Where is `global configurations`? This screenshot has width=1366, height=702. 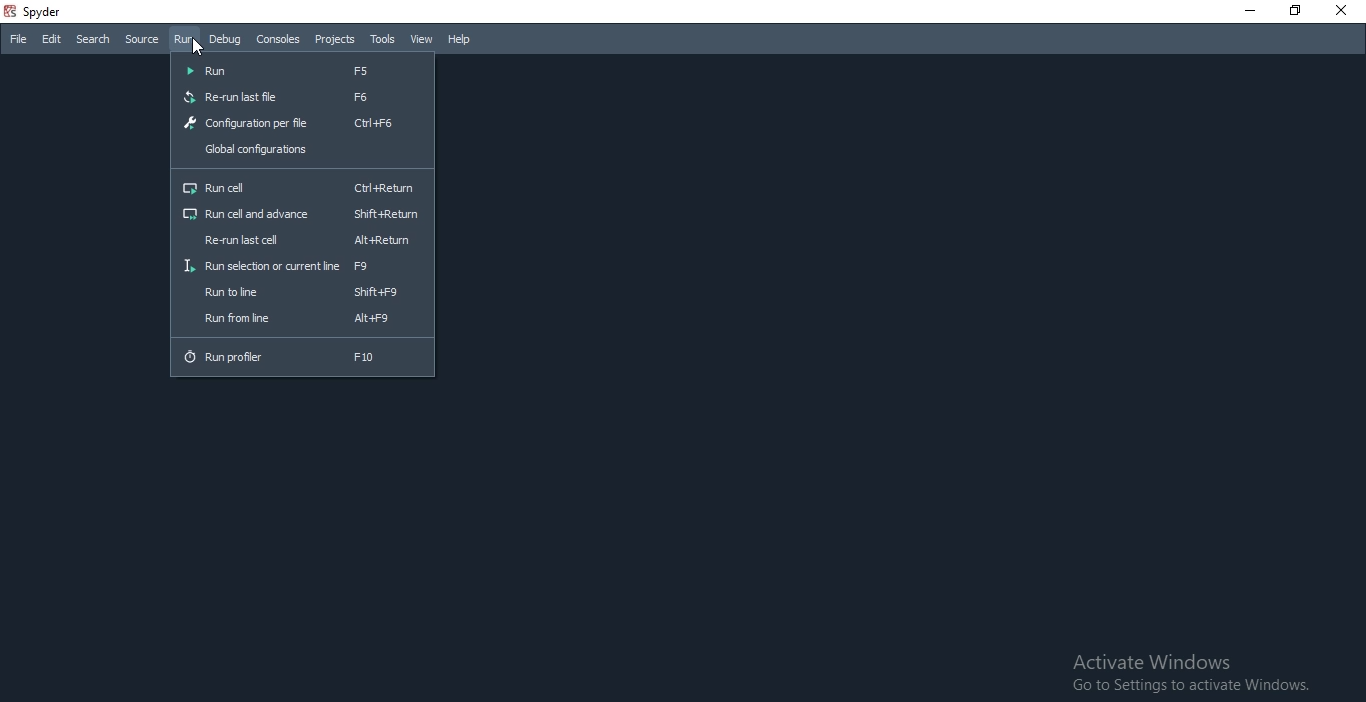
global configurations is located at coordinates (301, 151).